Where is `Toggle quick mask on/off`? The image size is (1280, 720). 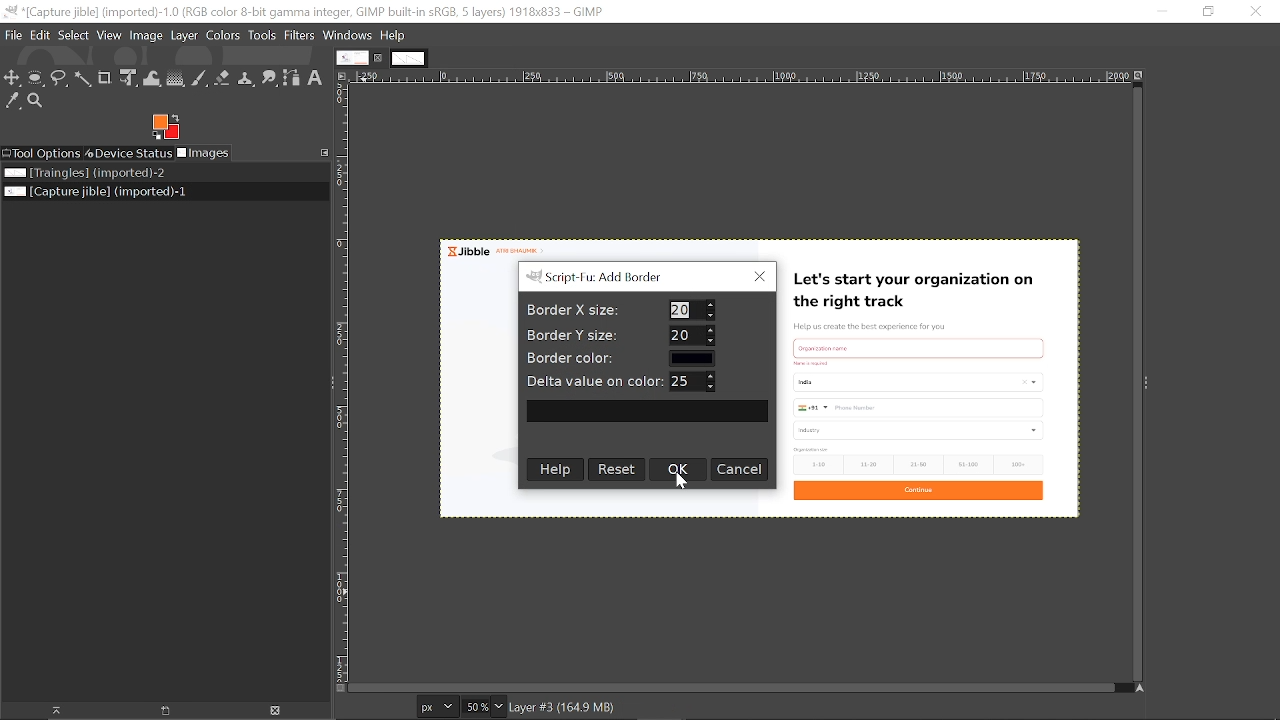 Toggle quick mask on/off is located at coordinates (338, 689).